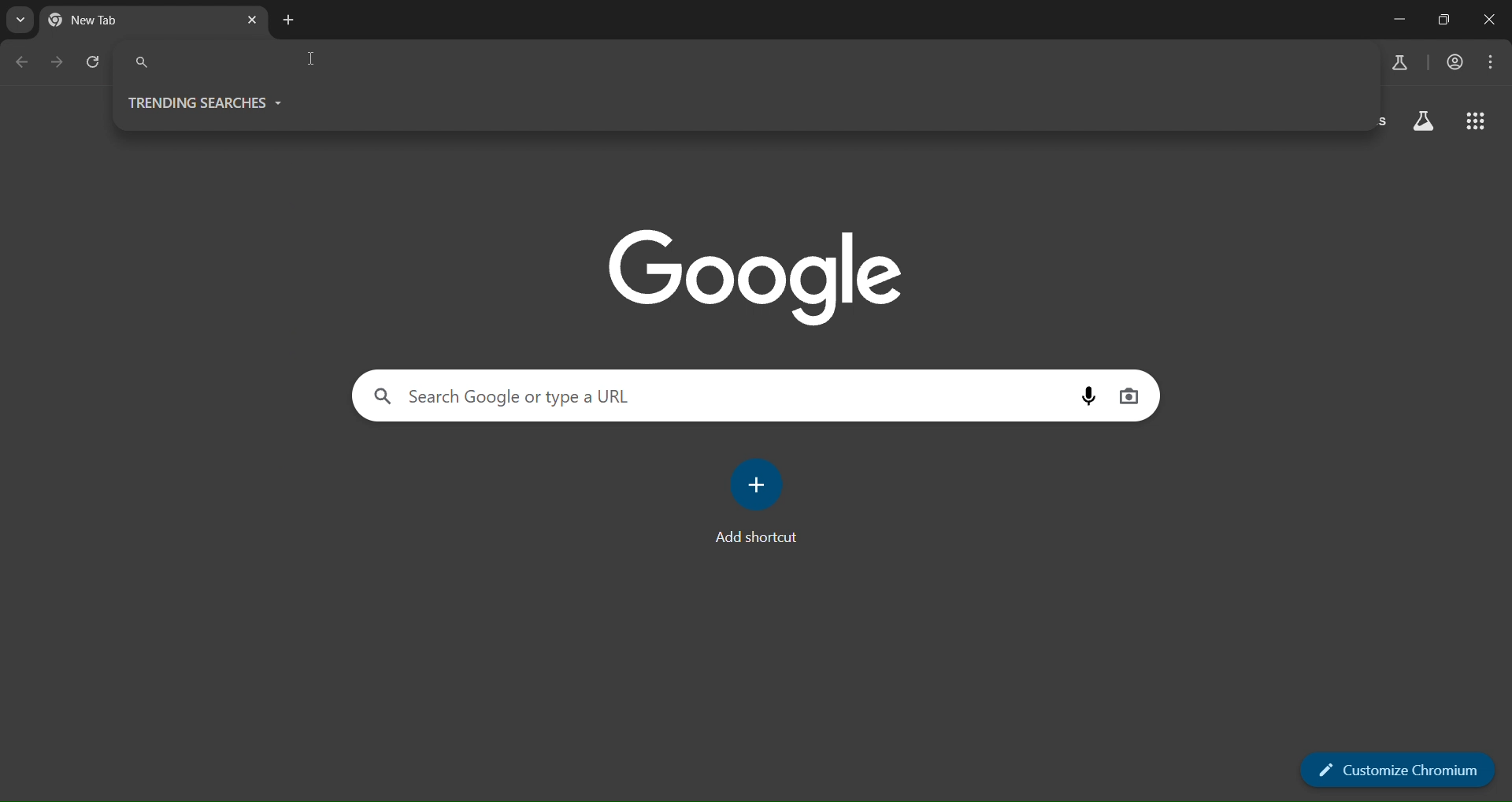 The height and width of the screenshot is (802, 1512). What do you see at coordinates (1091, 395) in the screenshot?
I see `voice search` at bounding box center [1091, 395].